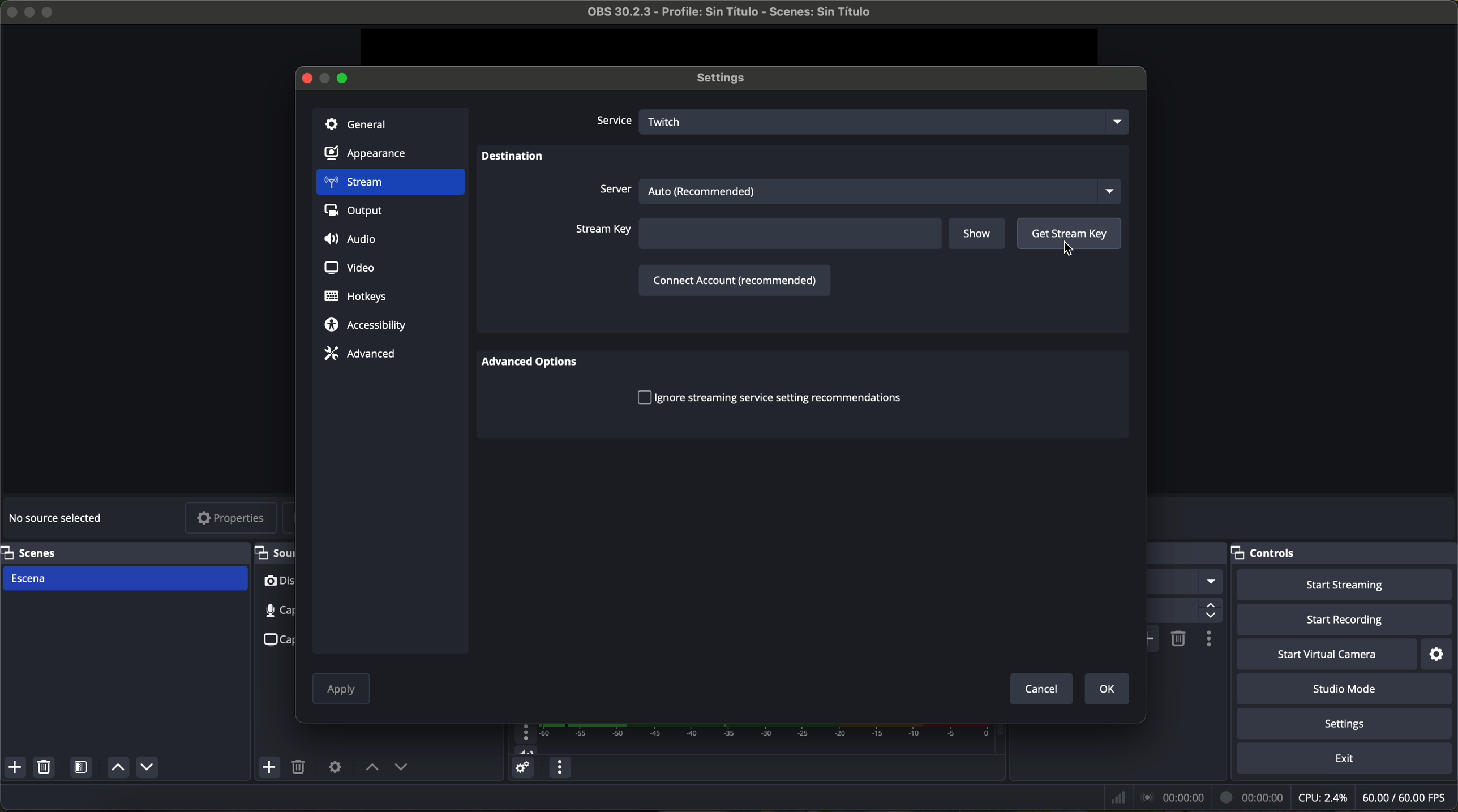  I want to click on output, so click(358, 213).